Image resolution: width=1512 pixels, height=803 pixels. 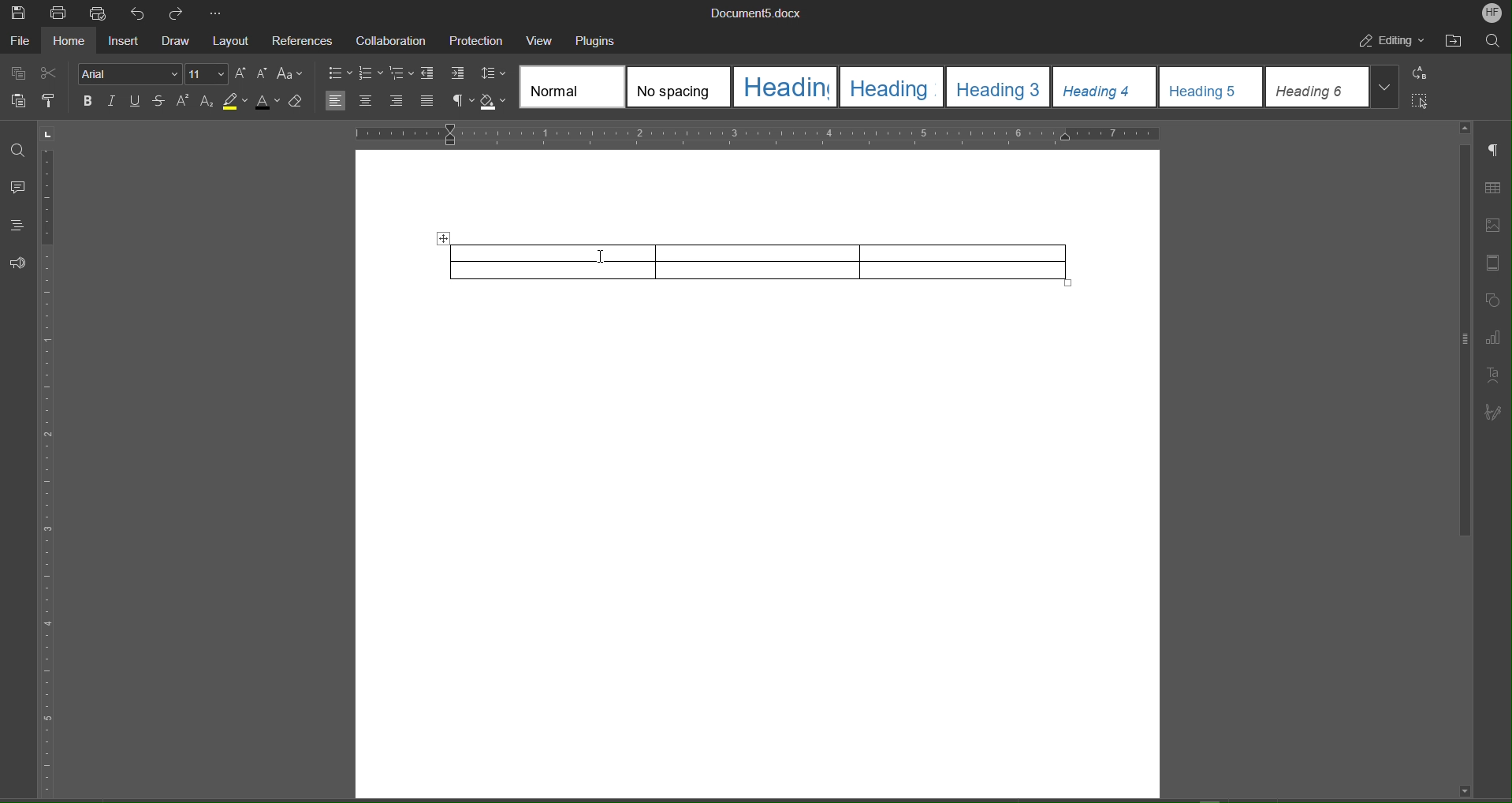 I want to click on Undo, so click(x=142, y=14).